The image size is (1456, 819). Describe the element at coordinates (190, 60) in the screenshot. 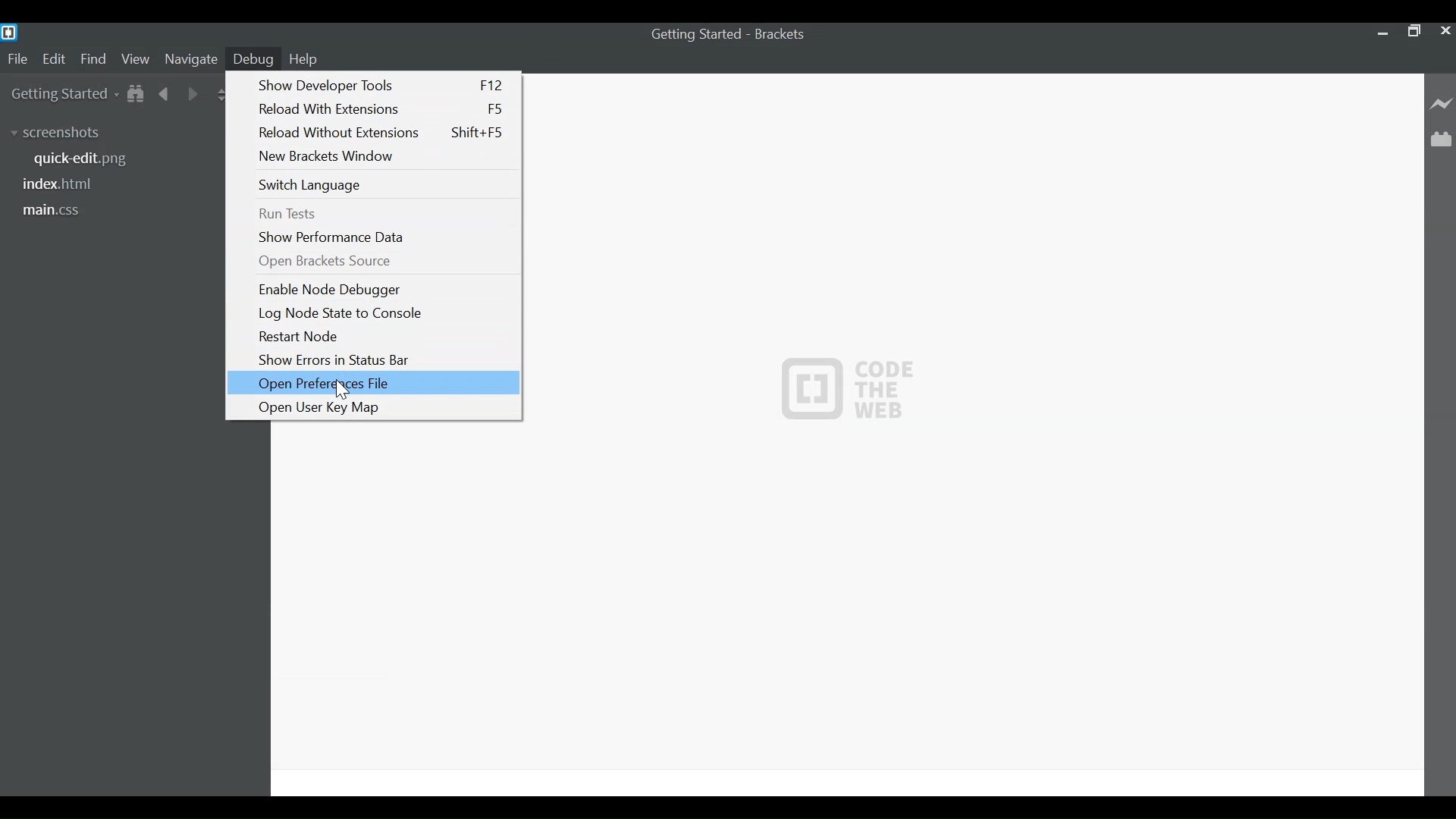

I see `Navigate` at that location.